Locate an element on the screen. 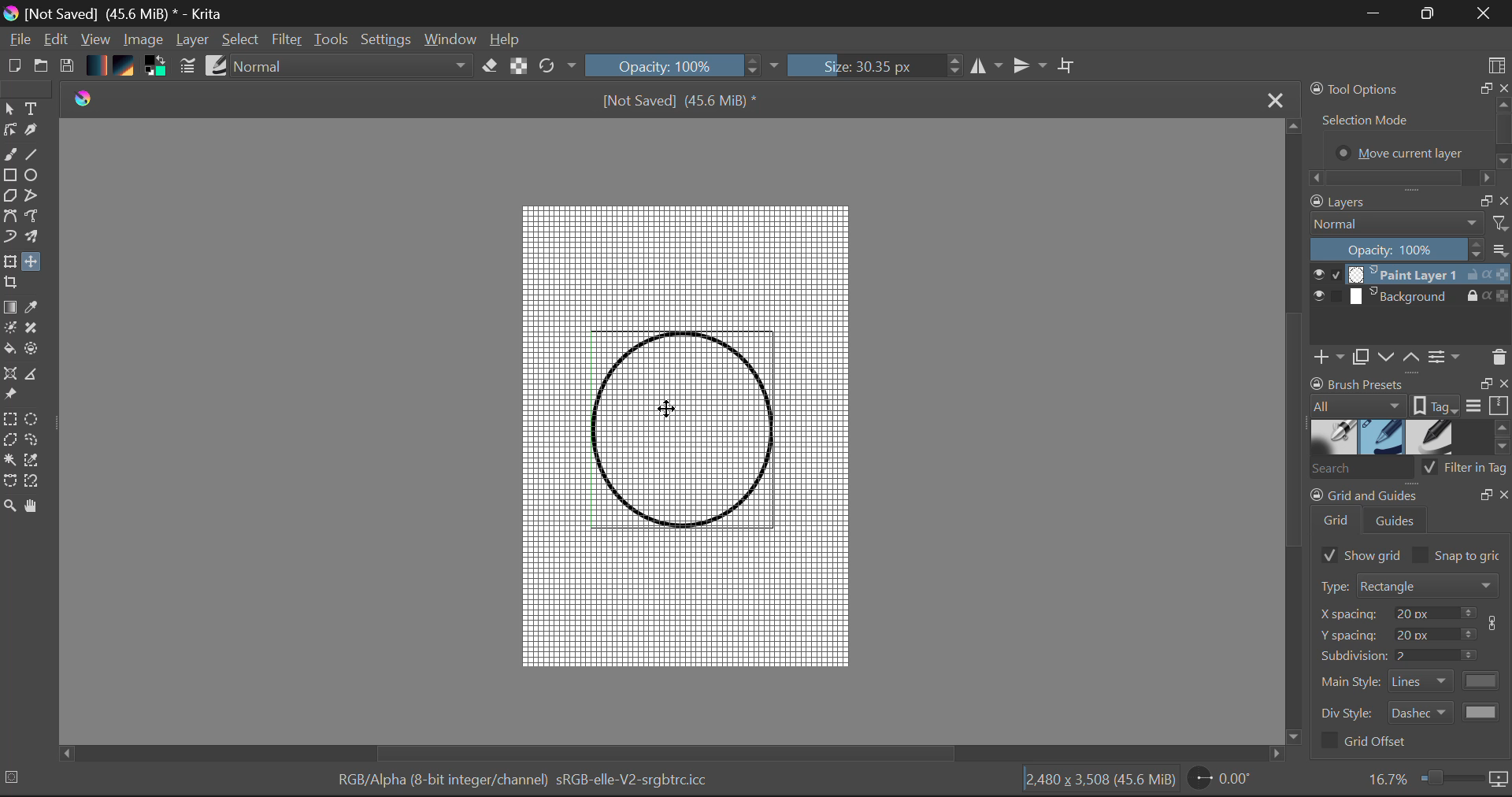 The width and height of the screenshot is (1512, 797). Enclose and Fill is located at coordinates (36, 352).